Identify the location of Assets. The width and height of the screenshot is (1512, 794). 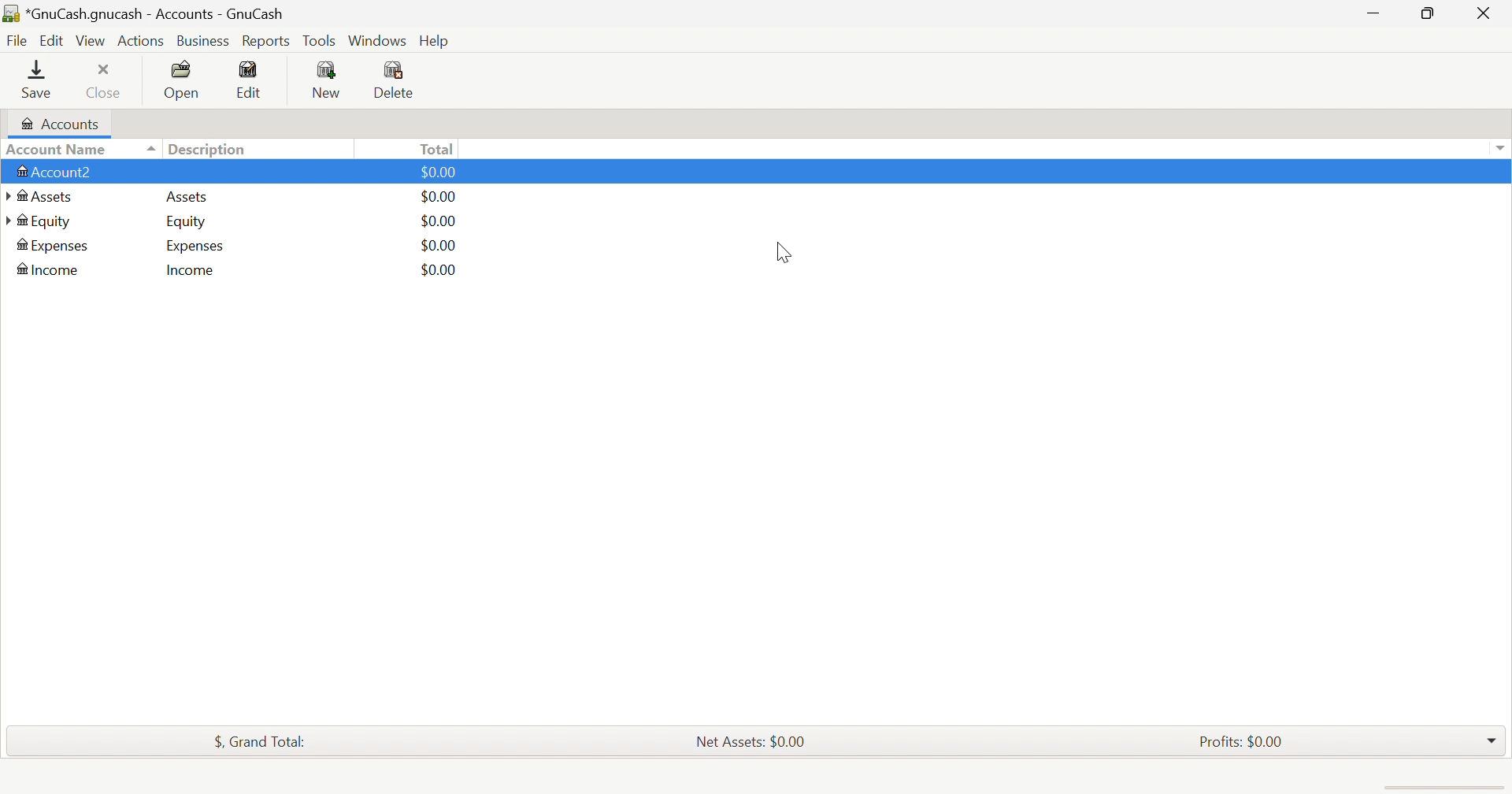
(44, 198).